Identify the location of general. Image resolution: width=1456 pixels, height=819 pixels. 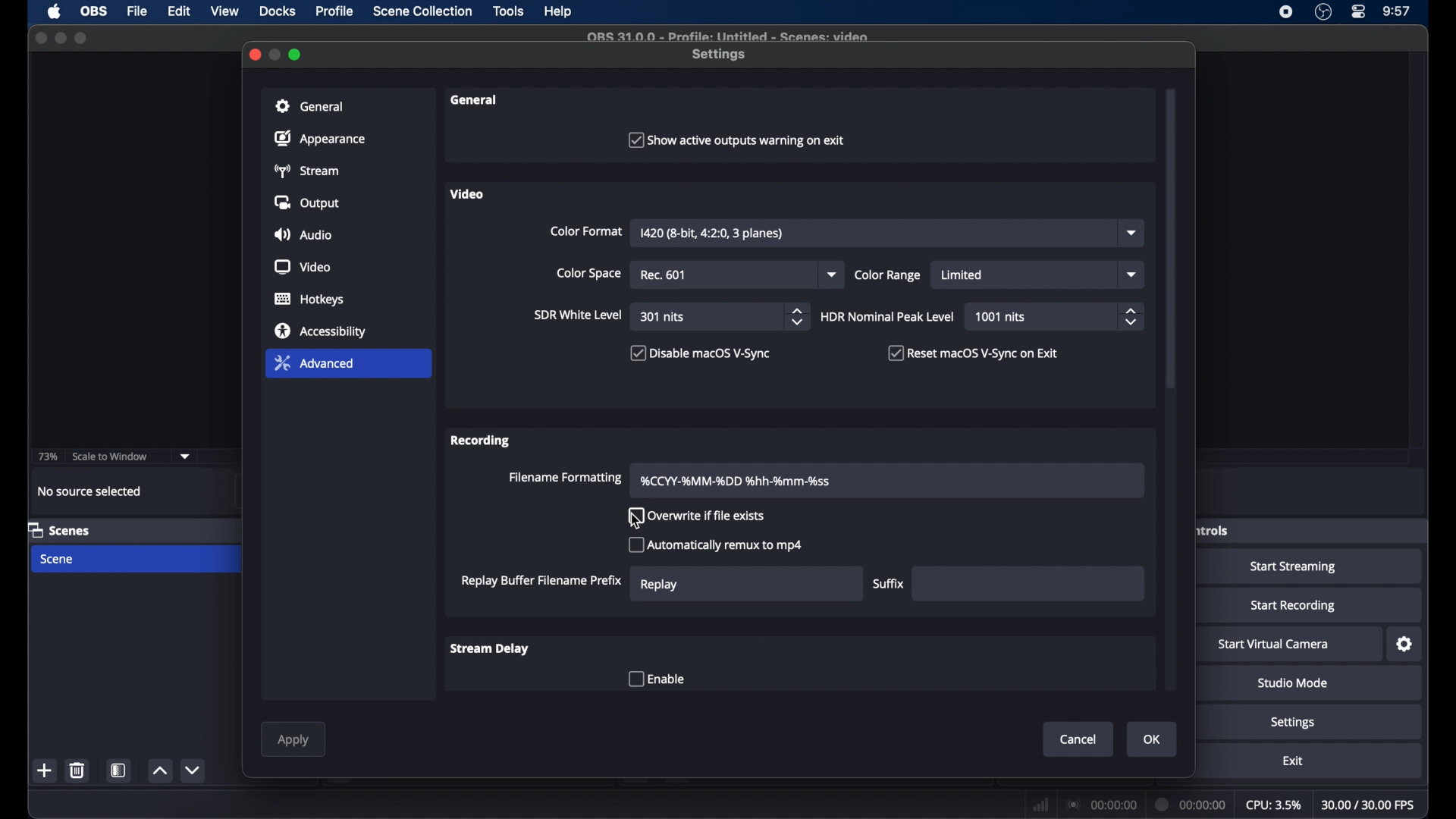
(312, 106).